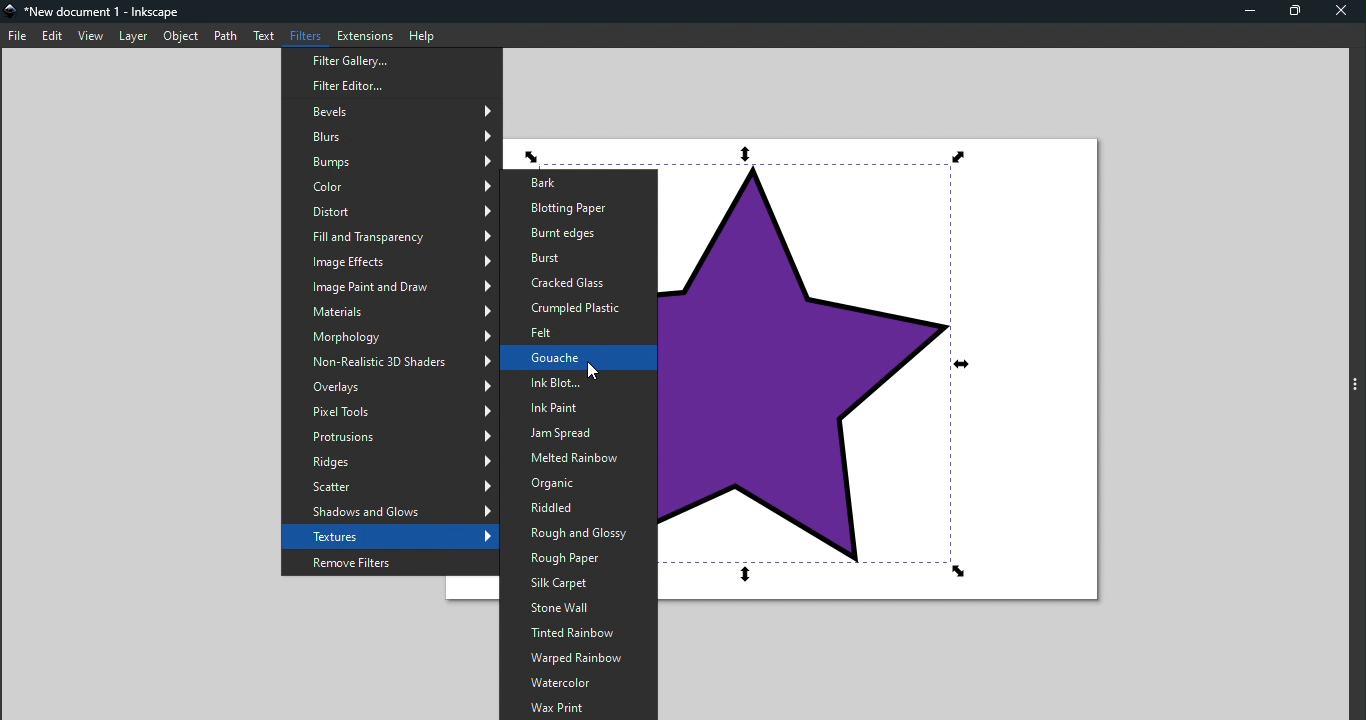 Image resolution: width=1366 pixels, height=720 pixels. What do you see at coordinates (574, 308) in the screenshot?
I see `Crumpled plastic` at bounding box center [574, 308].